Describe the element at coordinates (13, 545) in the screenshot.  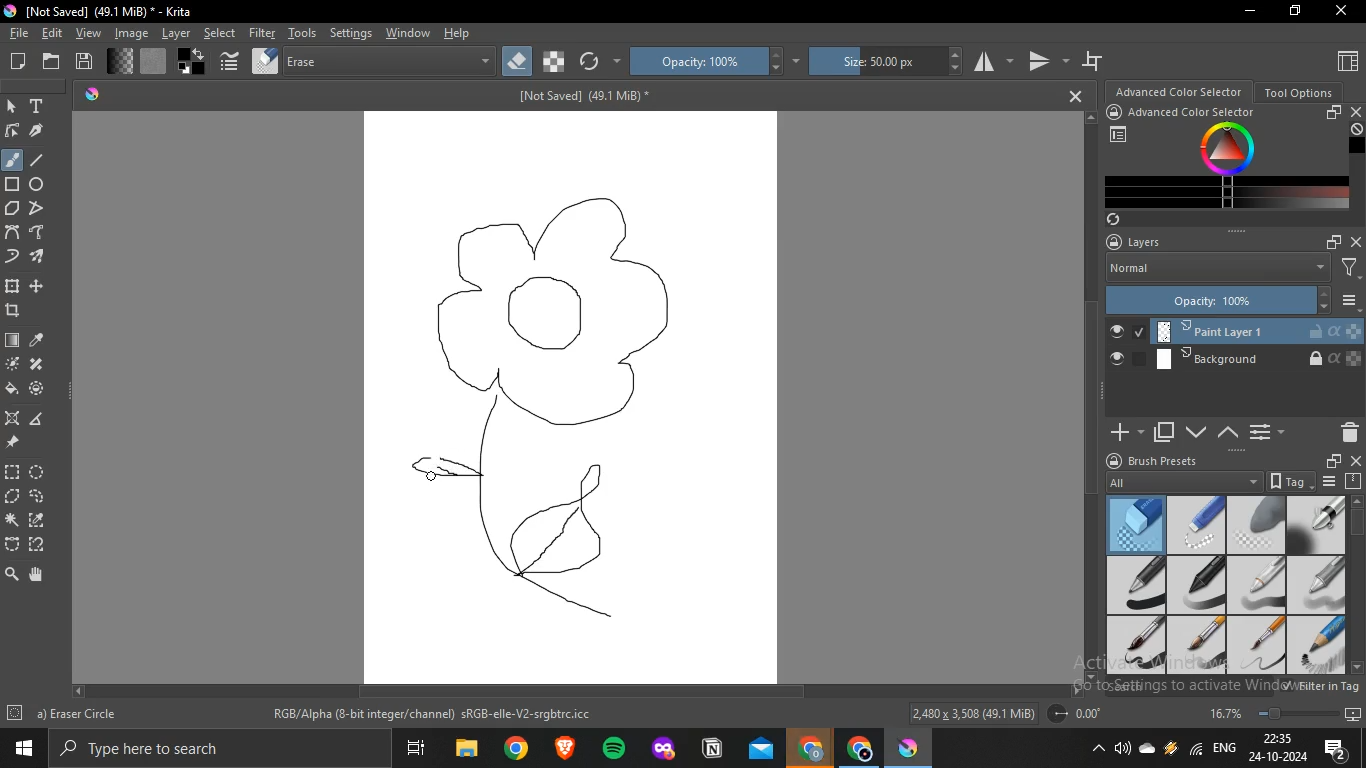
I see `bezier curve selection tool` at that location.